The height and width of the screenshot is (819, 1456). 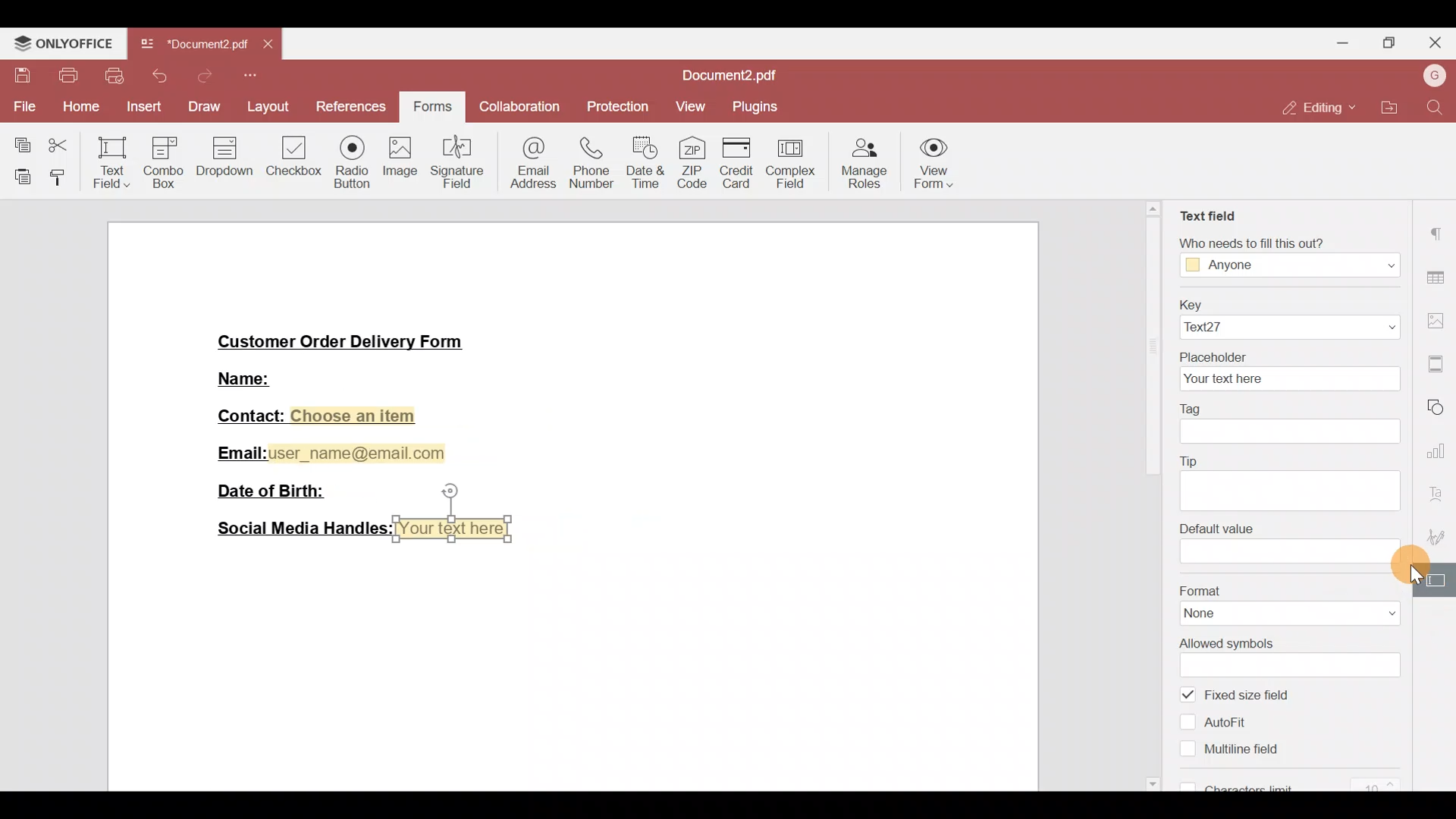 What do you see at coordinates (734, 162) in the screenshot?
I see `Credit card` at bounding box center [734, 162].